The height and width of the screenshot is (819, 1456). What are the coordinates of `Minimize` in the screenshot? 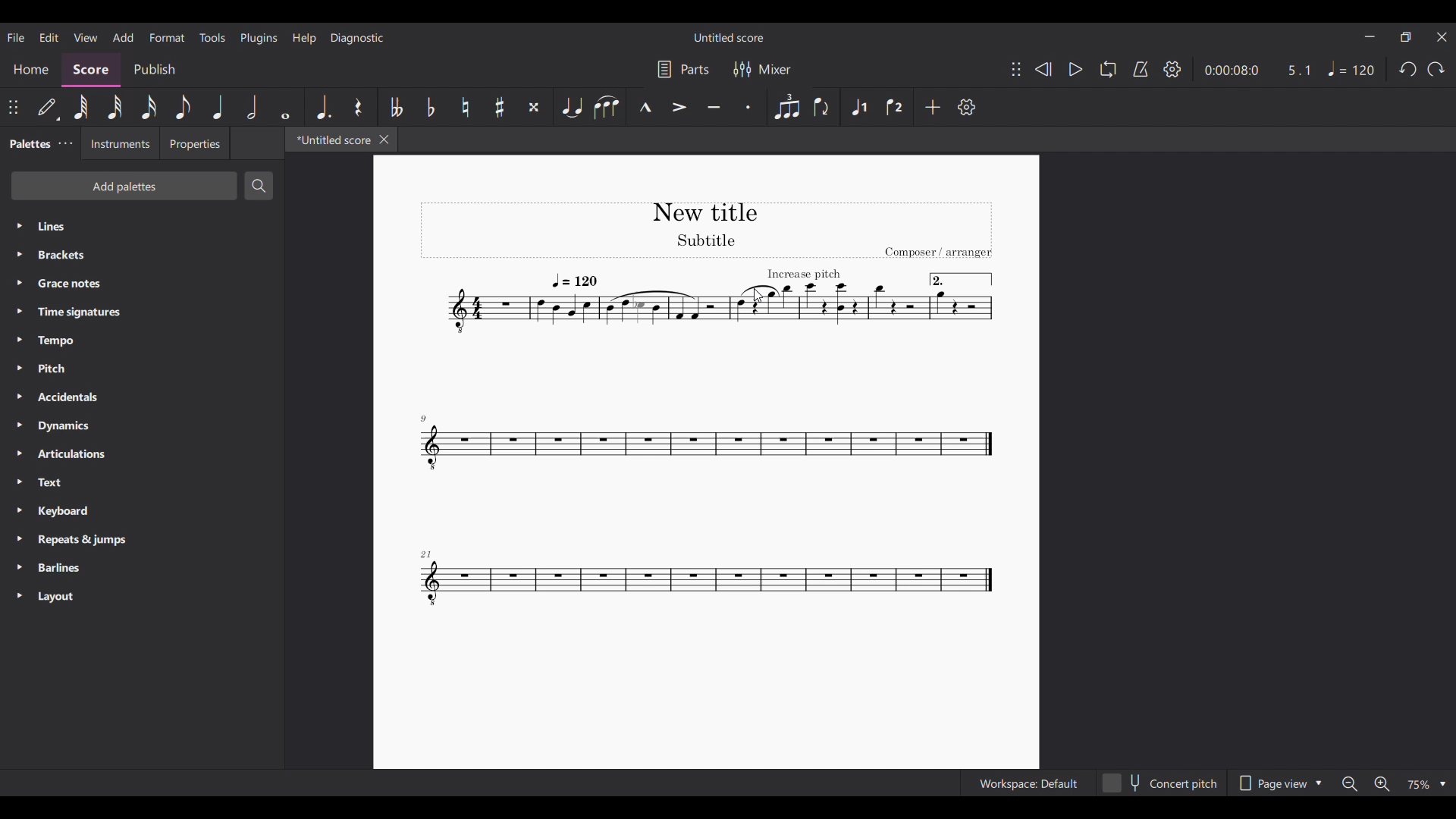 It's located at (1370, 36).